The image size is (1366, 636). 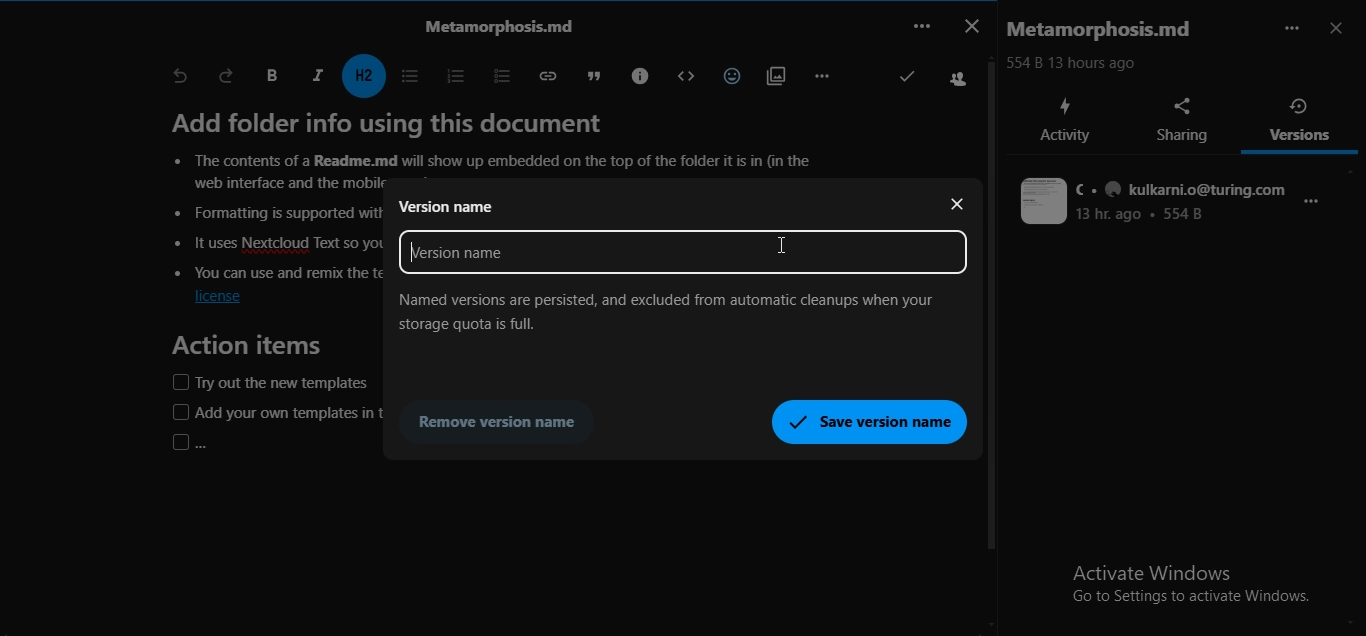 What do you see at coordinates (451, 74) in the screenshot?
I see `ordered list` at bounding box center [451, 74].